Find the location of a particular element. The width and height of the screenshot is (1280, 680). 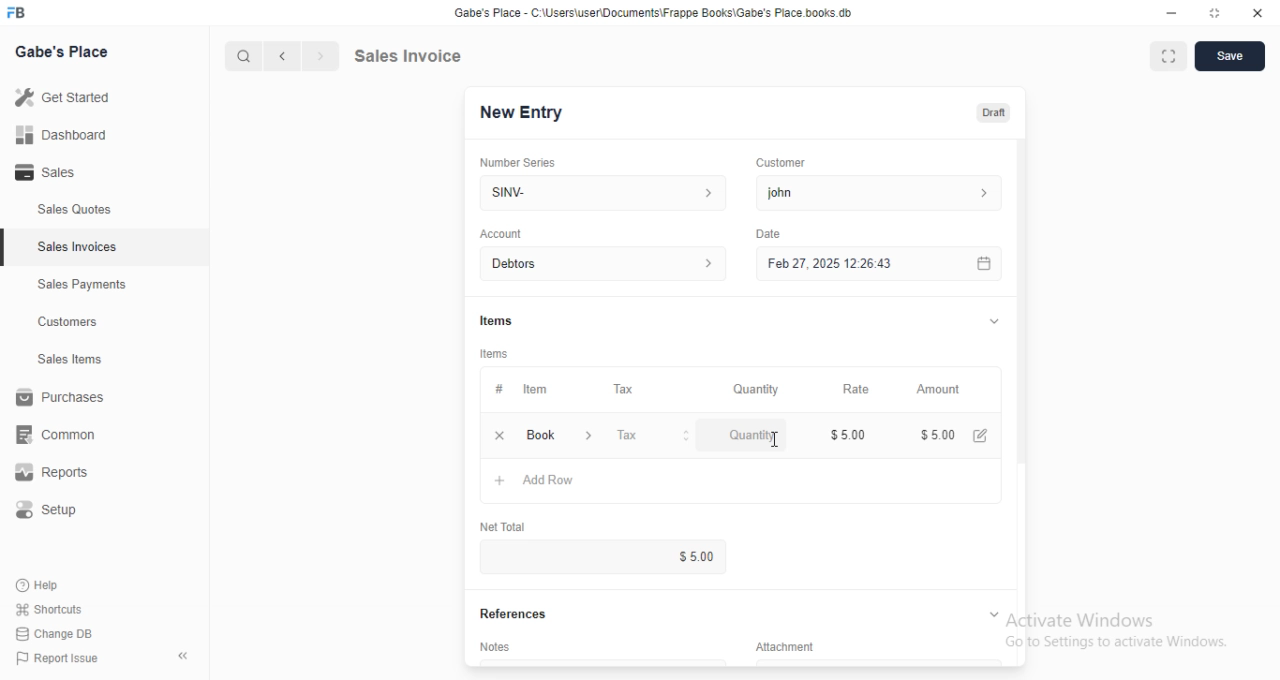

Rate is located at coordinates (861, 388).